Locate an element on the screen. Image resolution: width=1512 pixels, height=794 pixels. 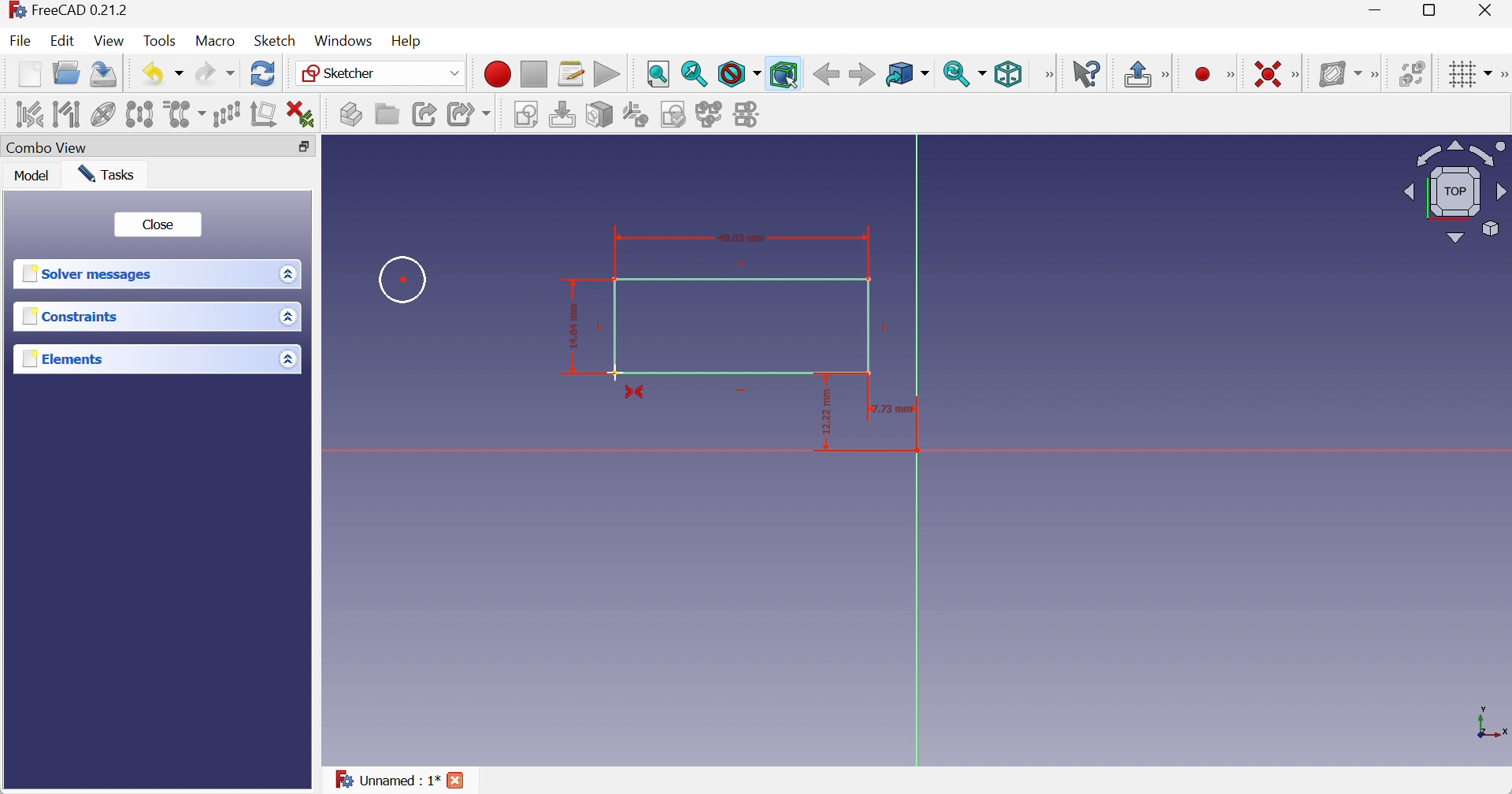
Refresh is located at coordinates (264, 72).